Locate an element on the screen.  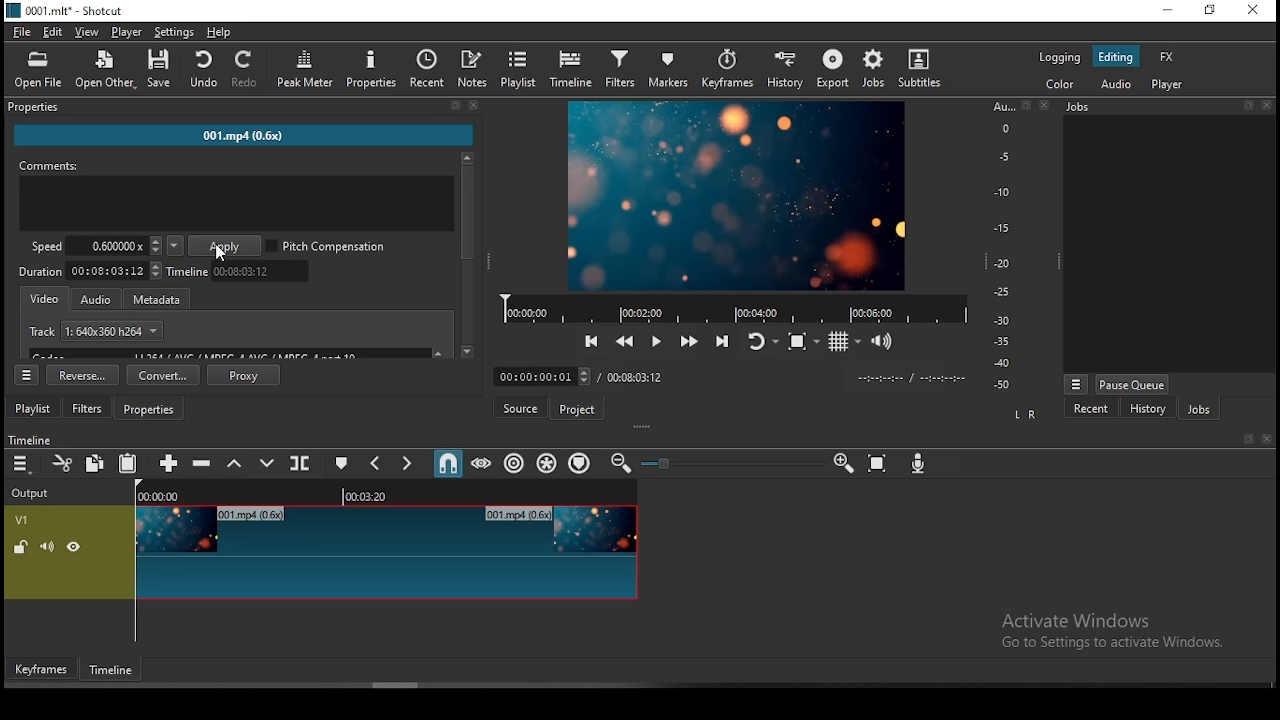
timeline settings is located at coordinates (26, 374).